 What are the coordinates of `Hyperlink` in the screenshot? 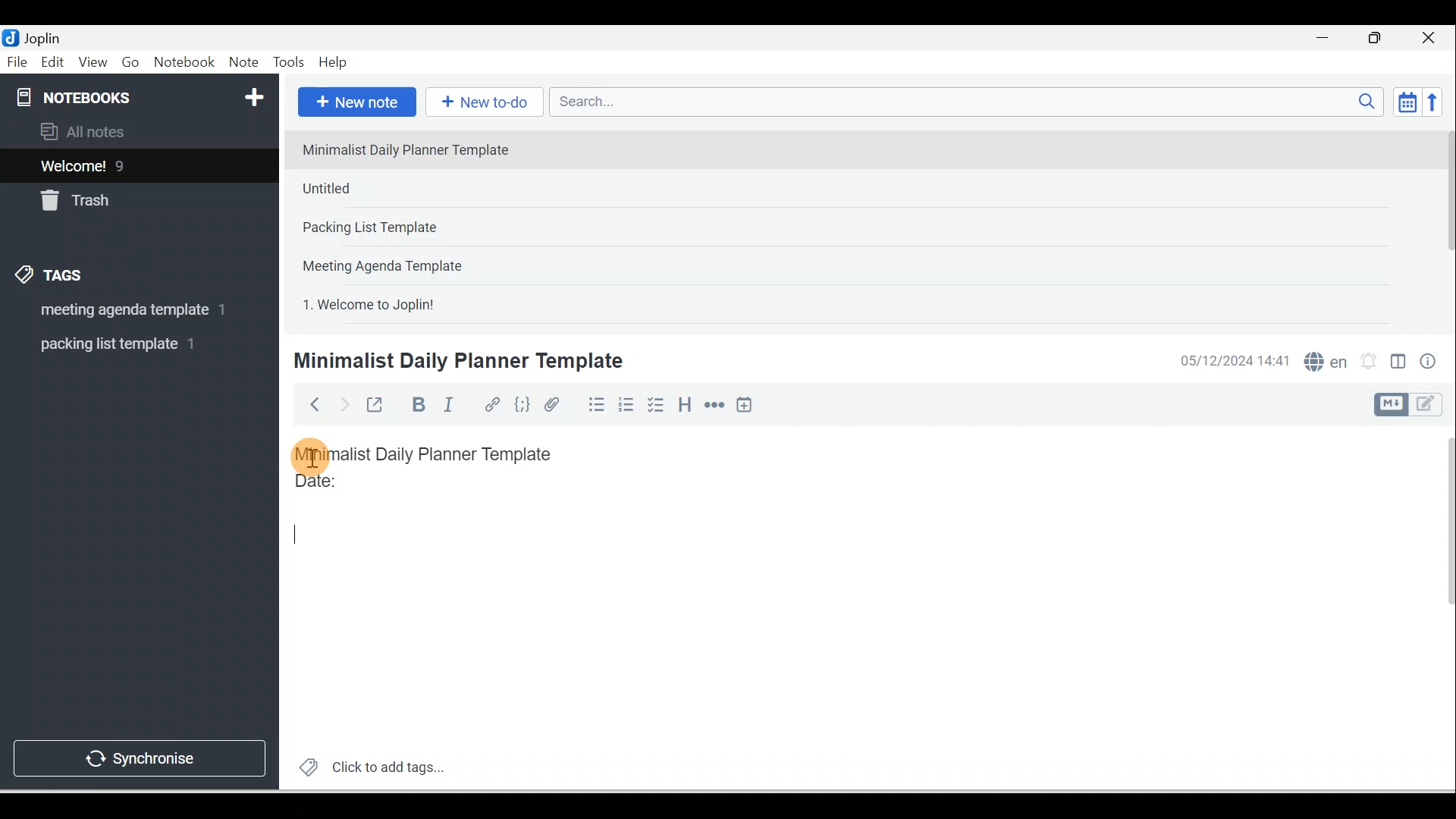 It's located at (491, 406).